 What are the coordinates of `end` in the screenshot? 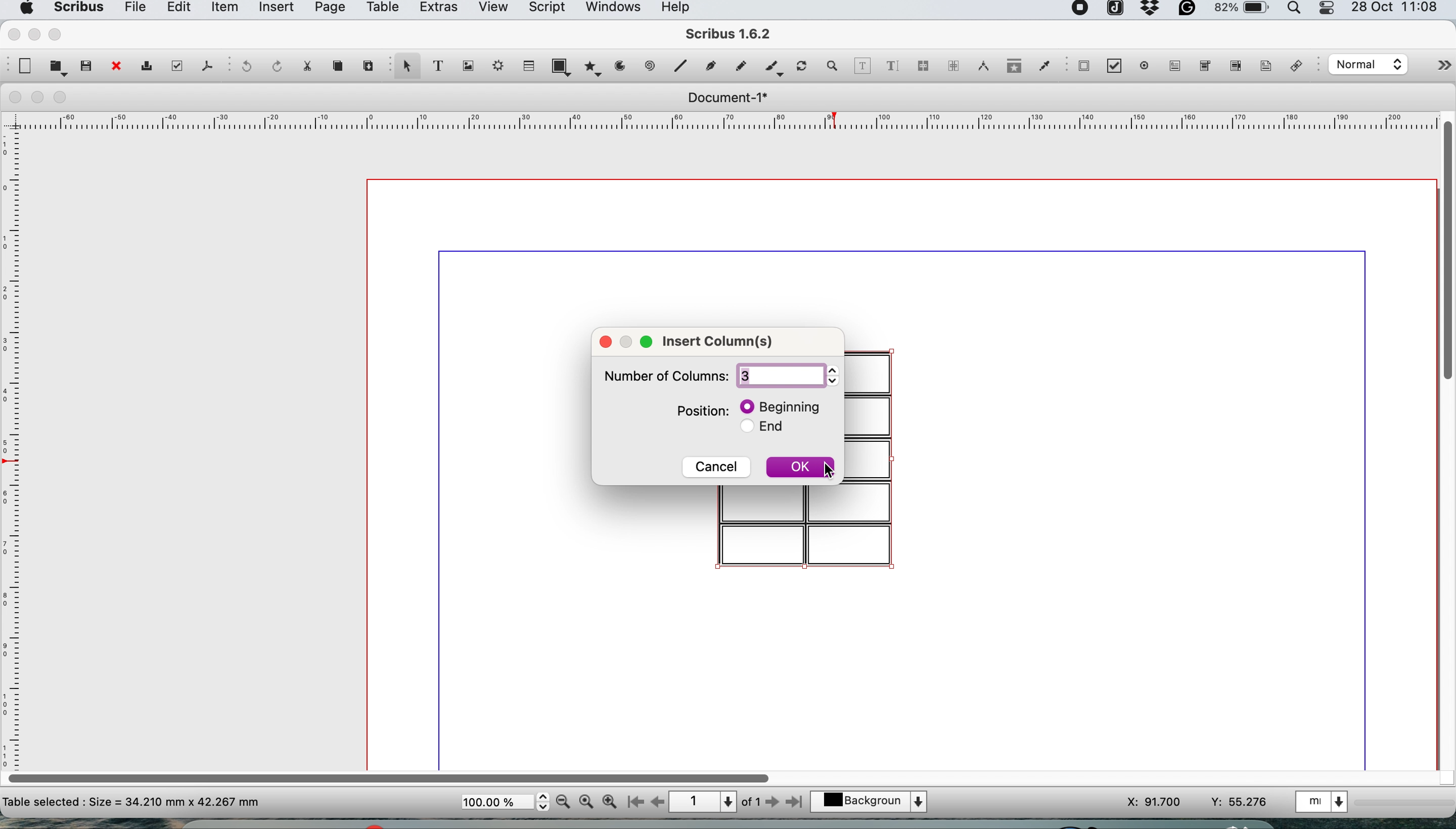 It's located at (760, 429).